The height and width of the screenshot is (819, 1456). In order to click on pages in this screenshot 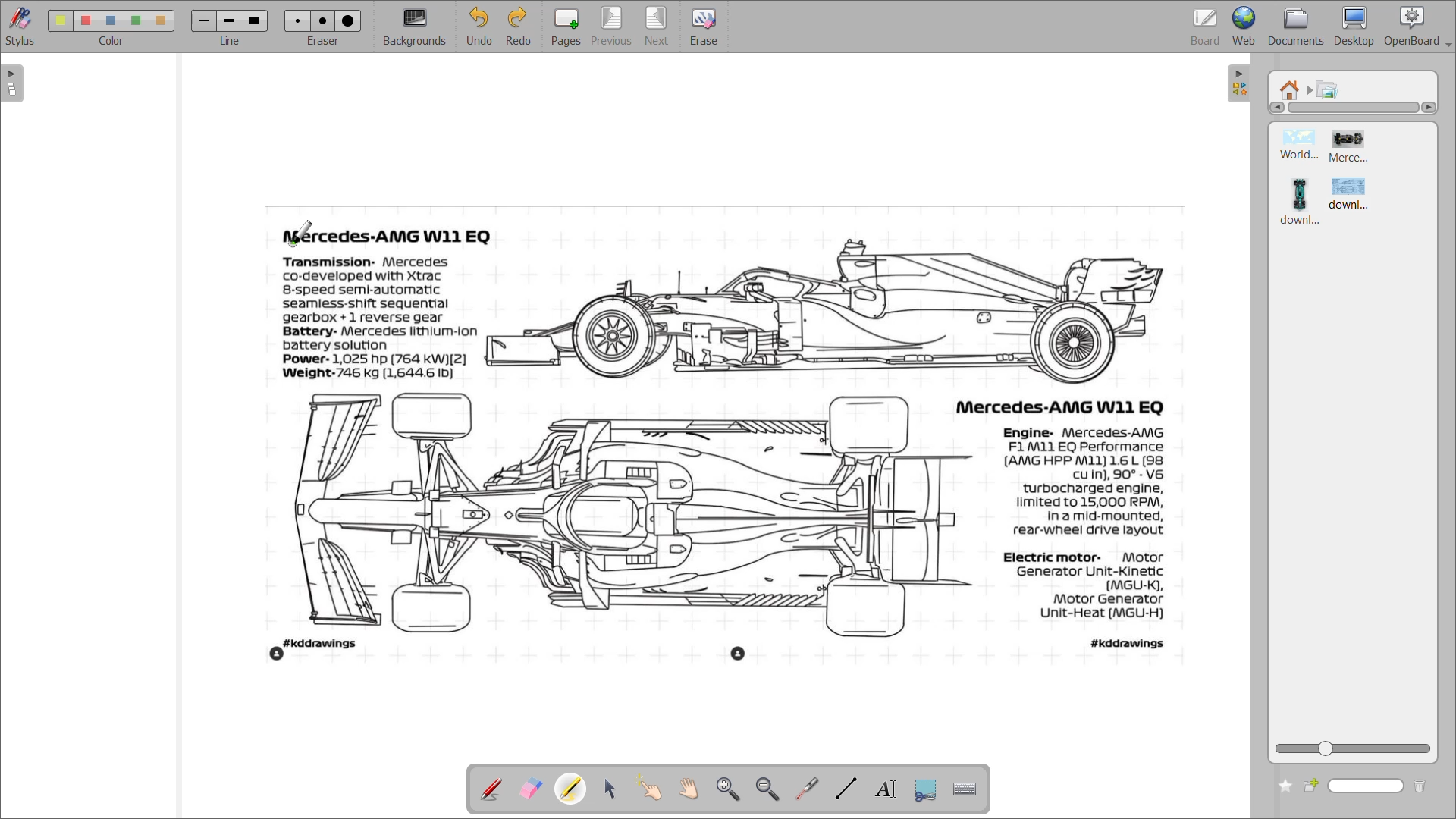, I will do `click(569, 24)`.